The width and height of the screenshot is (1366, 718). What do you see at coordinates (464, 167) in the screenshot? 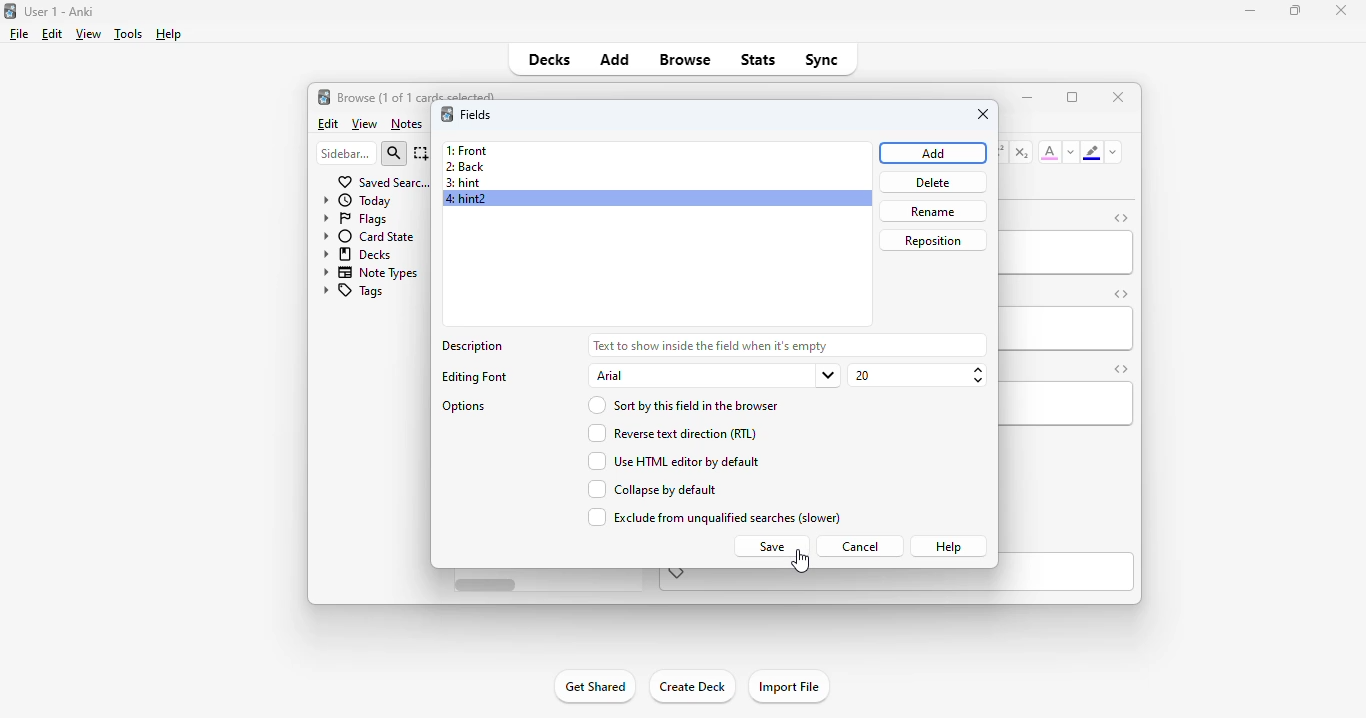
I see `2: back` at bounding box center [464, 167].